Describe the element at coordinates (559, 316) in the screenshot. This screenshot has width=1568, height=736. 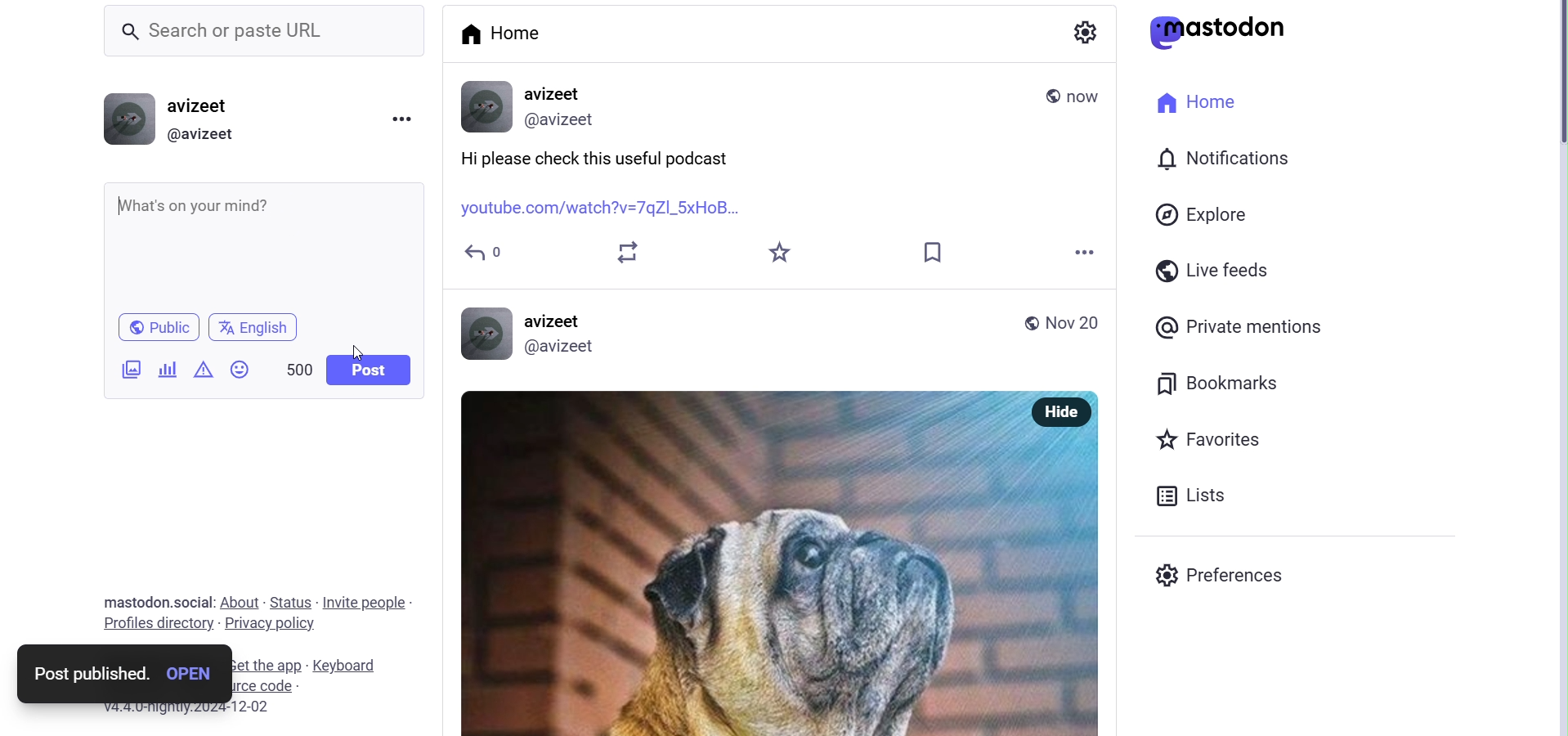
I see `avizeet` at that location.